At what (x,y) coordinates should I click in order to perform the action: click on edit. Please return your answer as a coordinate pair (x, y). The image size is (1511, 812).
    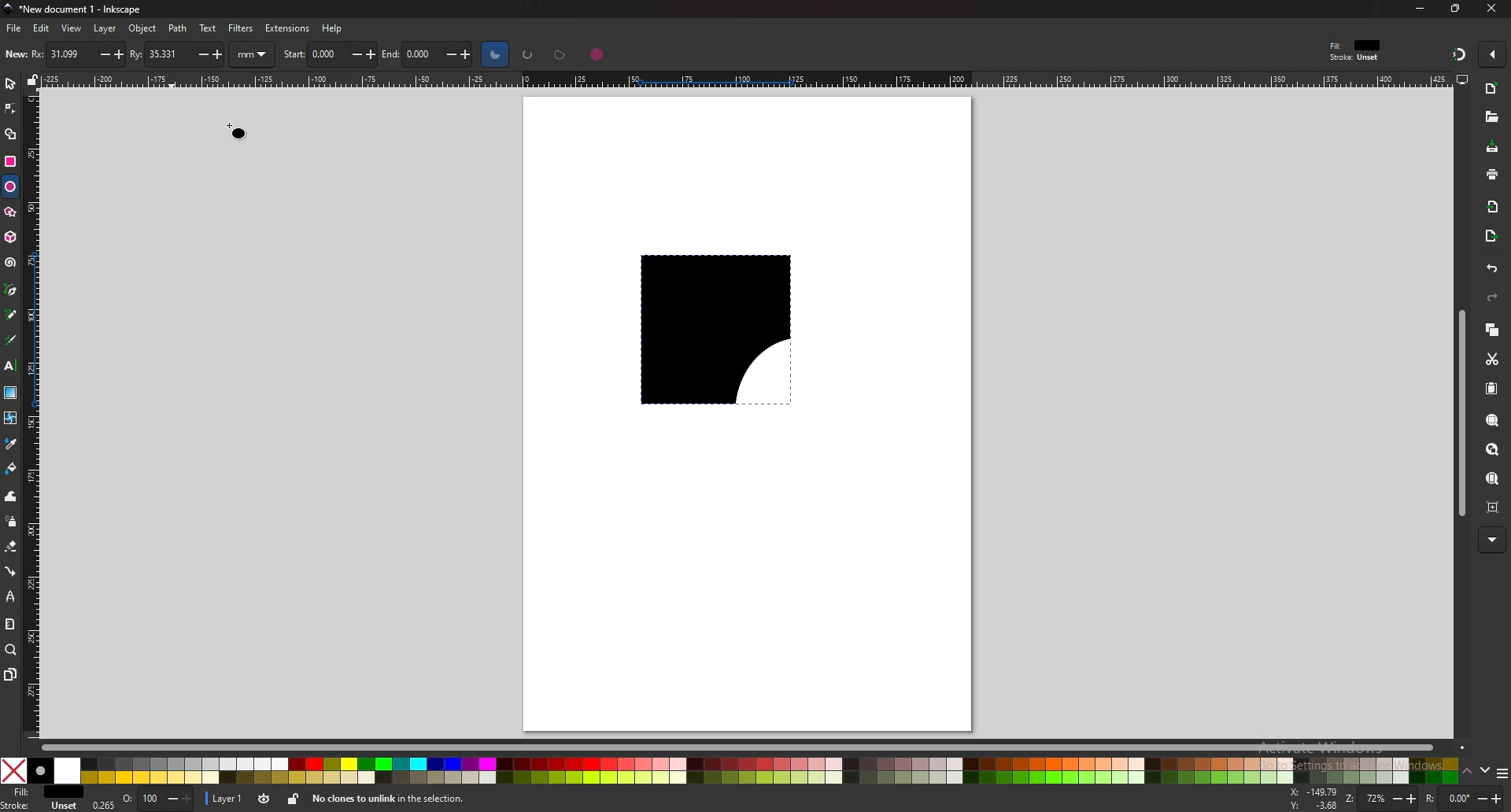
    Looking at the image, I should click on (42, 29).